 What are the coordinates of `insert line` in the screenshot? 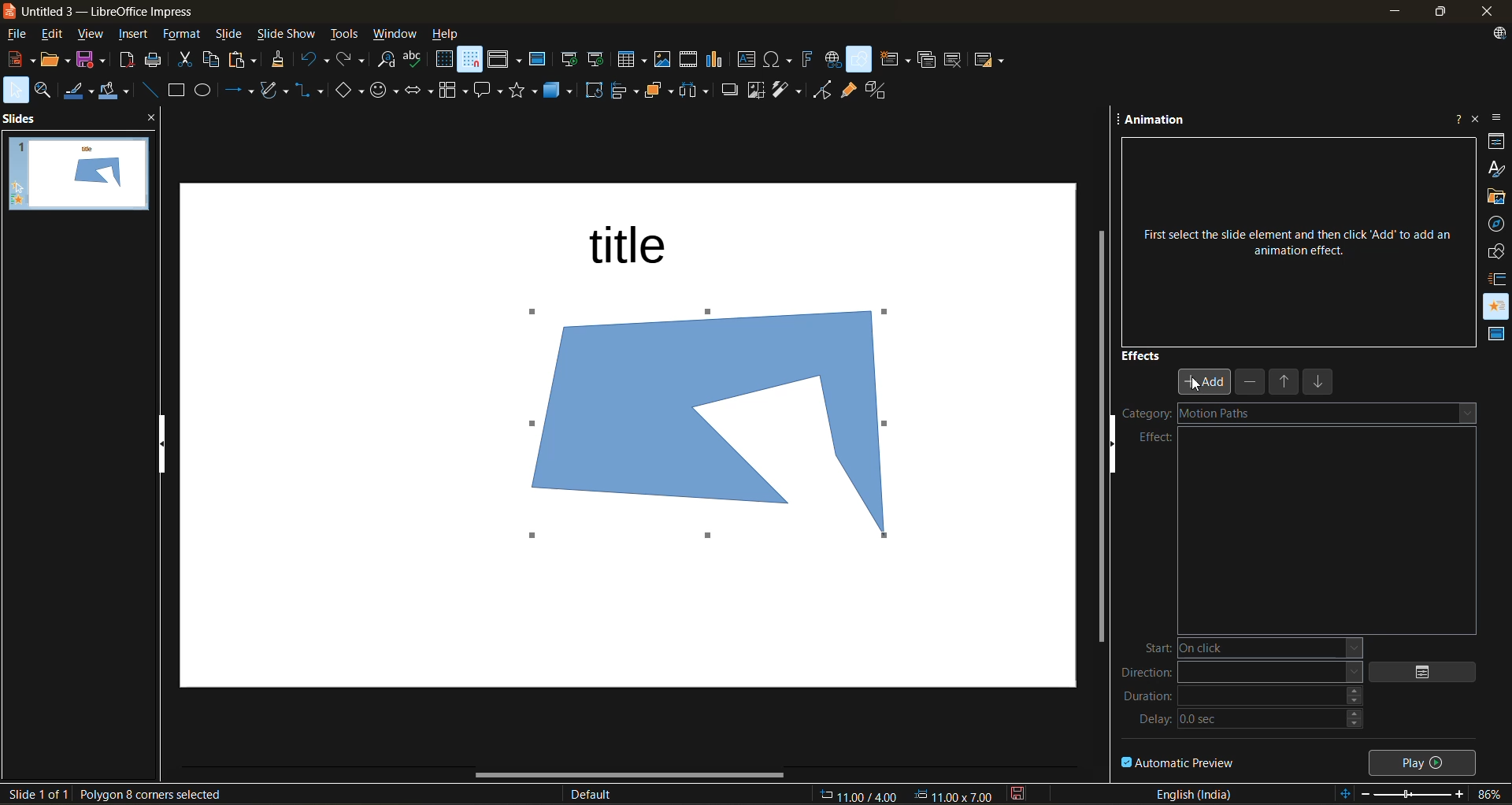 It's located at (150, 89).